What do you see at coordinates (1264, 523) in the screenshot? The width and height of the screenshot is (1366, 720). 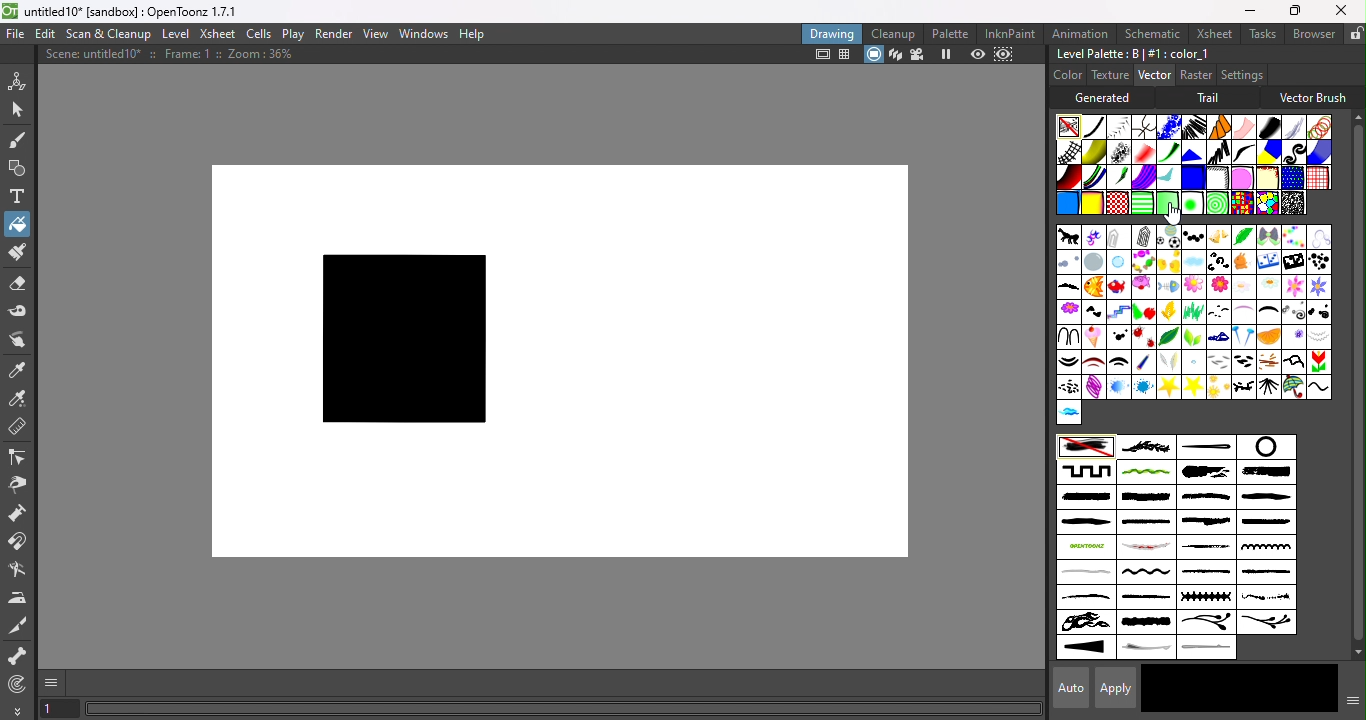 I see `medium_brush4` at bounding box center [1264, 523].